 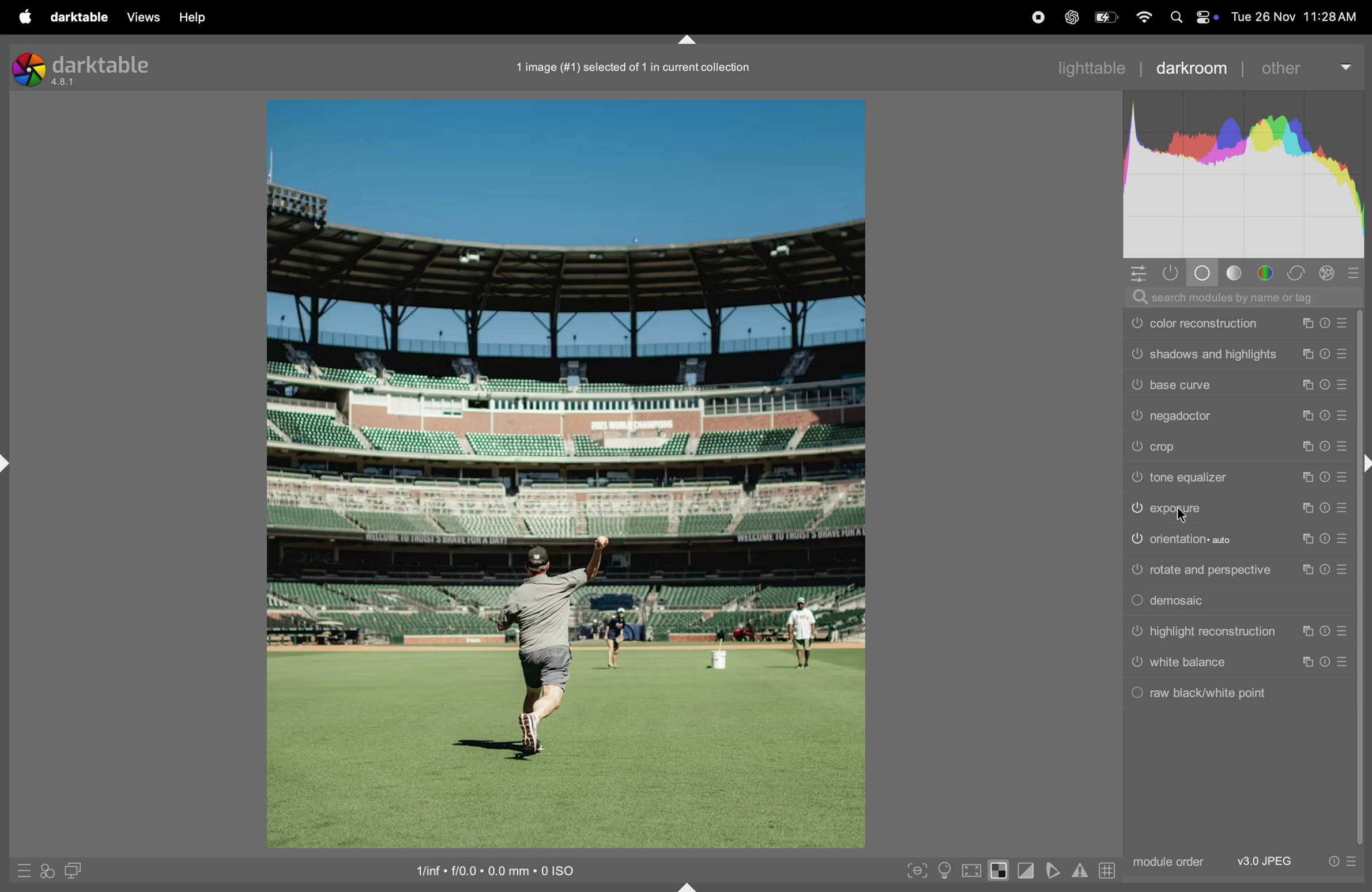 I want to click on copy, so click(x=1306, y=539).